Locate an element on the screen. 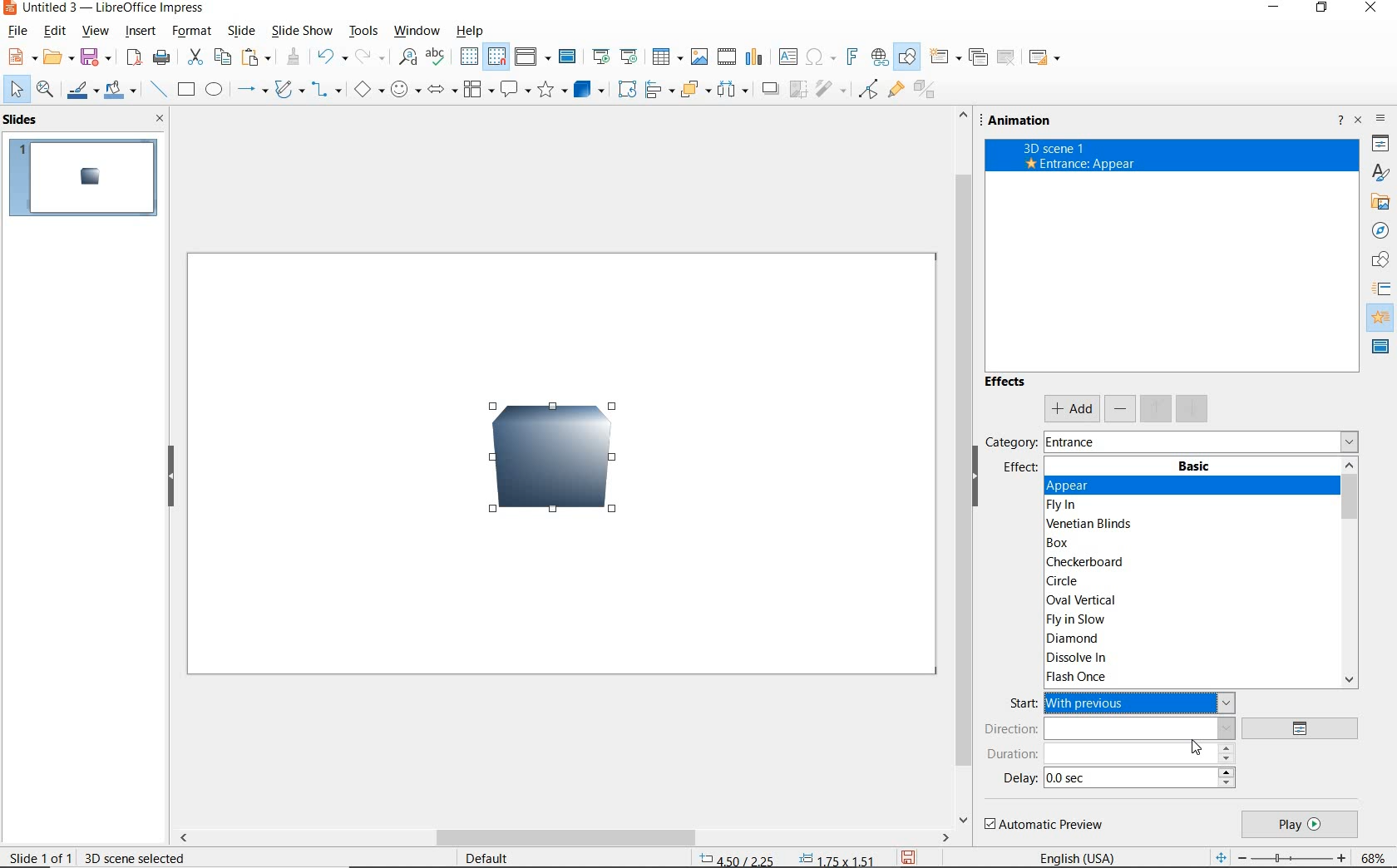 The height and width of the screenshot is (868, 1397). help is located at coordinates (467, 32).